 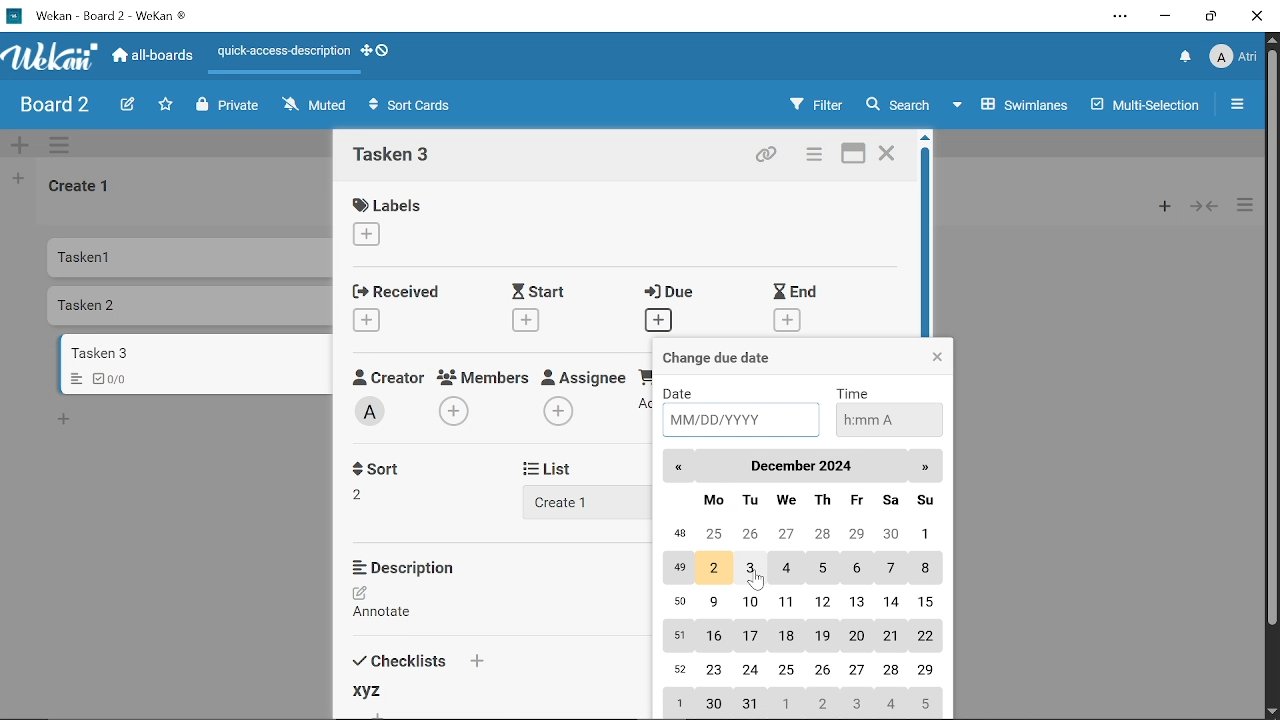 What do you see at coordinates (82, 188) in the screenshot?
I see `List titled "Create 1"` at bounding box center [82, 188].